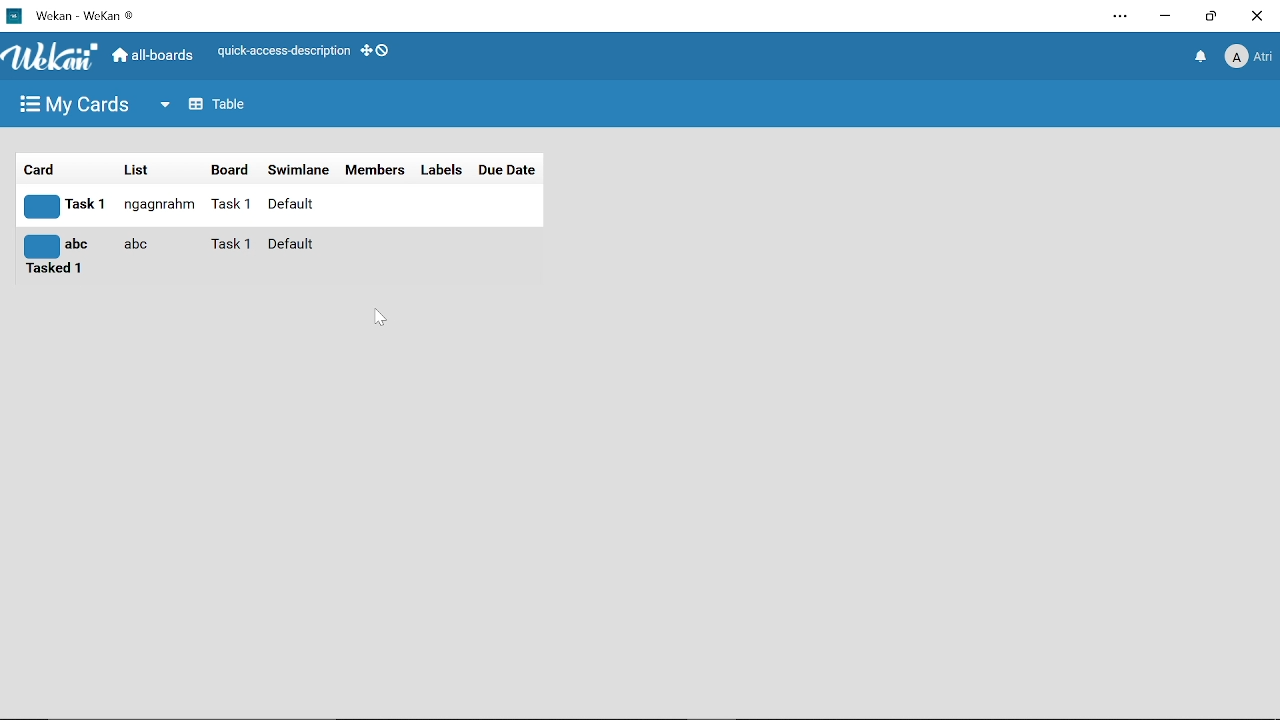 The height and width of the screenshot is (720, 1280). What do you see at coordinates (1119, 17) in the screenshot?
I see `Settings and more` at bounding box center [1119, 17].